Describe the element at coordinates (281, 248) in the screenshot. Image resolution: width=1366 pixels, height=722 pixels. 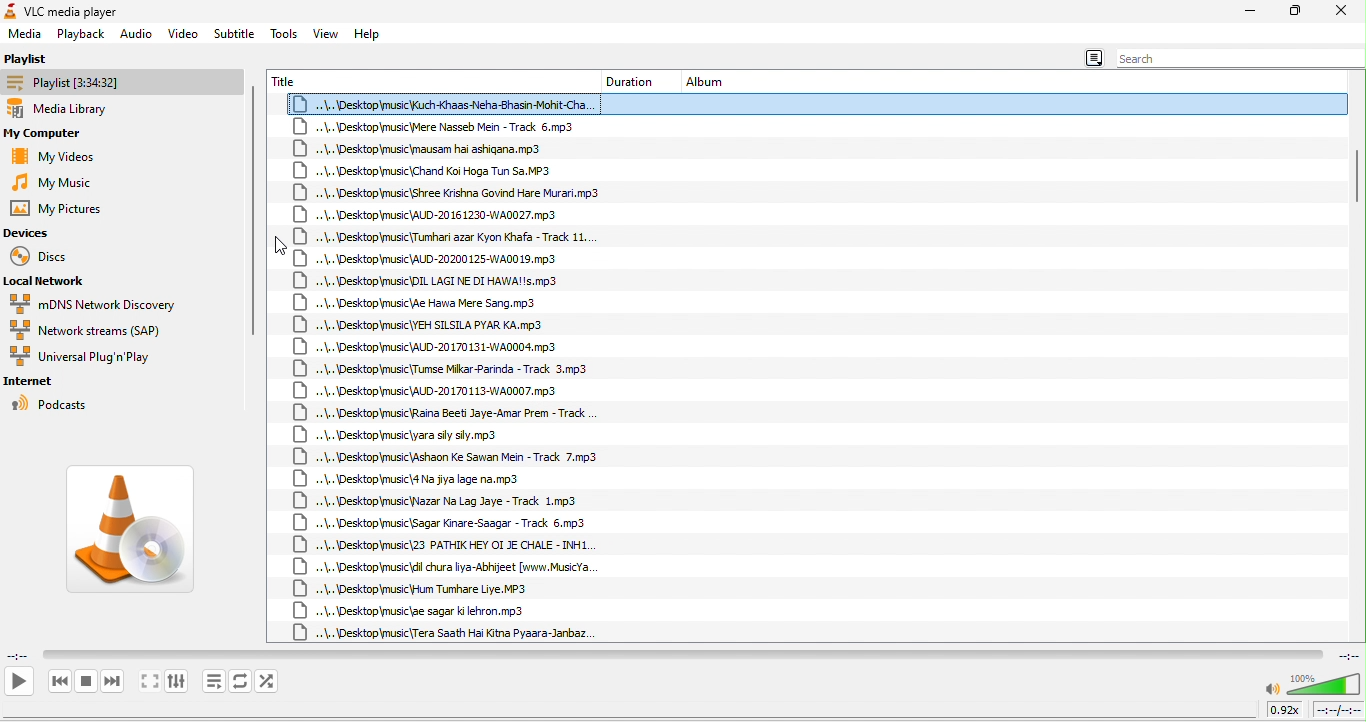
I see `cursor` at that location.